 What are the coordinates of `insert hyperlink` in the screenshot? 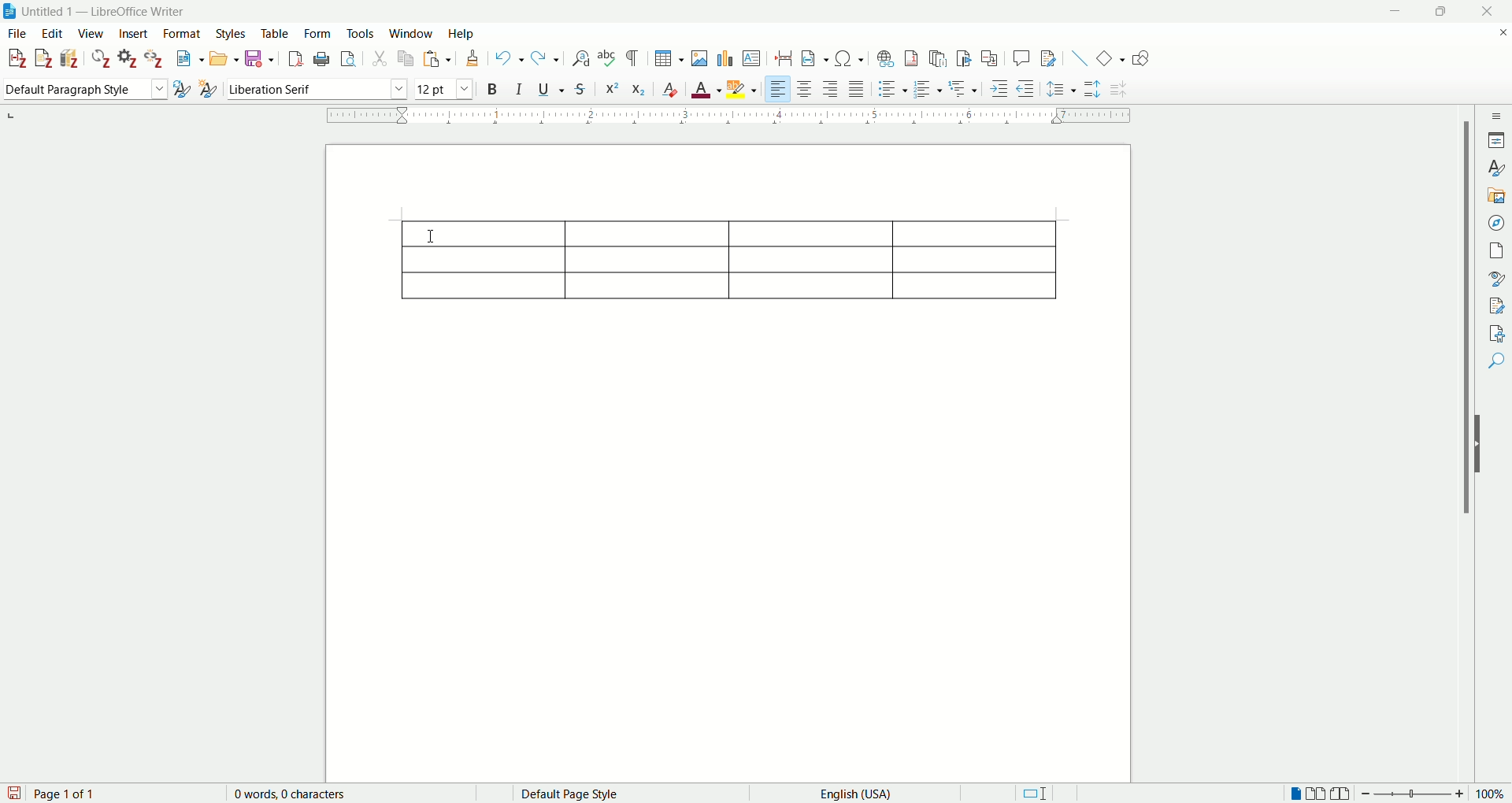 It's located at (884, 60).